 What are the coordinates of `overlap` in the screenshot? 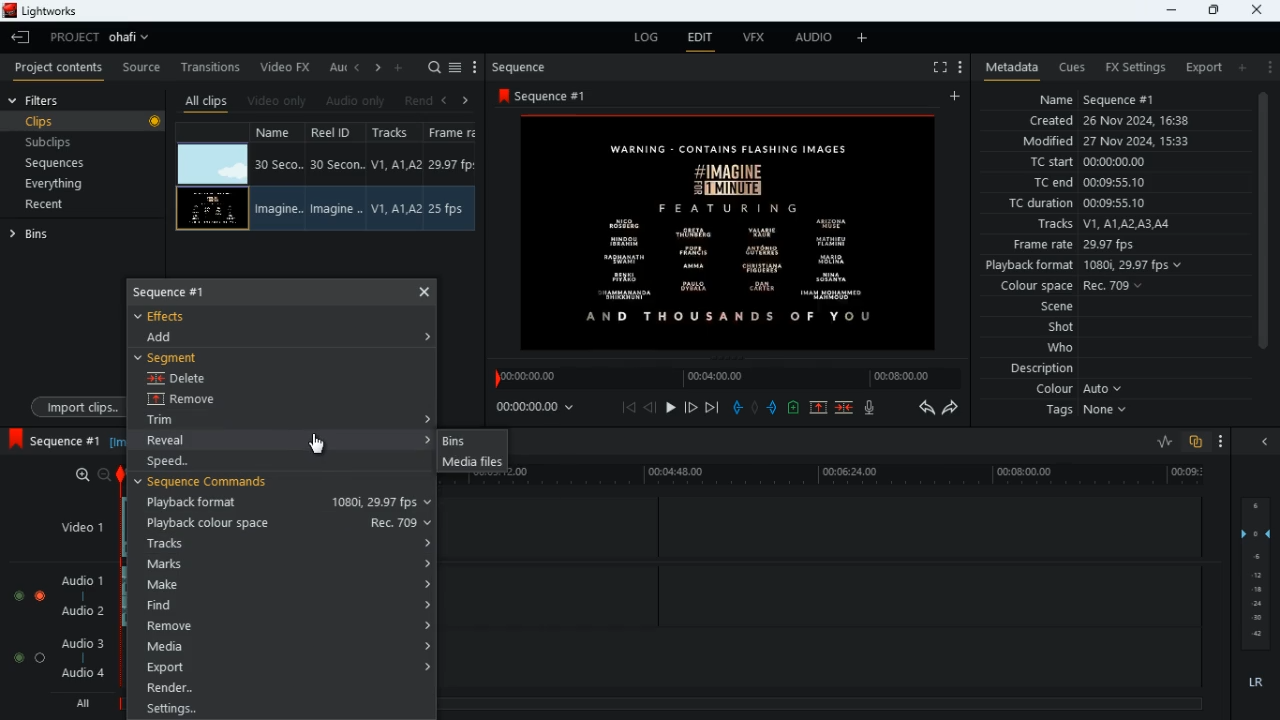 It's located at (1193, 442).